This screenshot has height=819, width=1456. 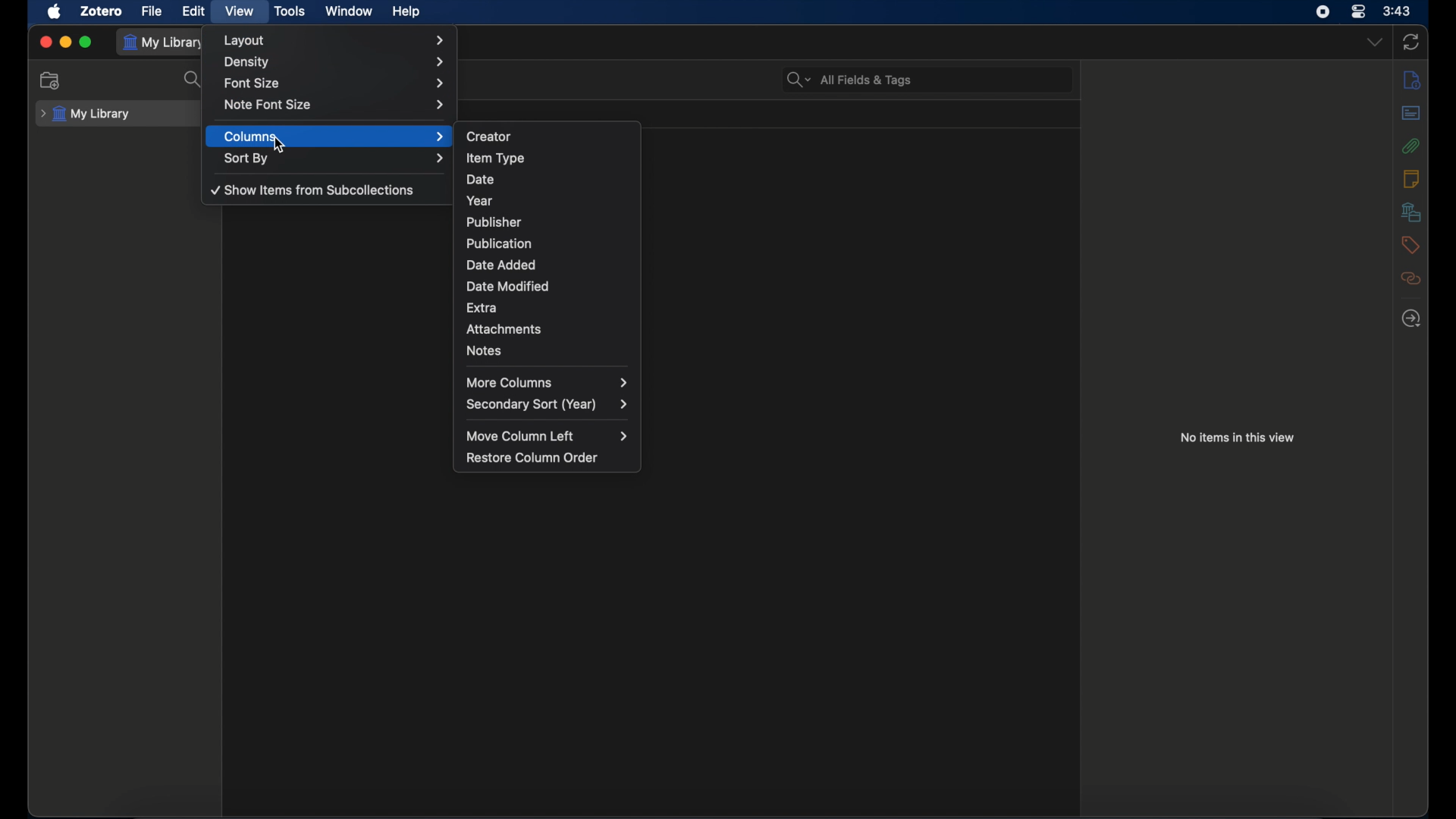 What do you see at coordinates (1410, 245) in the screenshot?
I see `tags` at bounding box center [1410, 245].